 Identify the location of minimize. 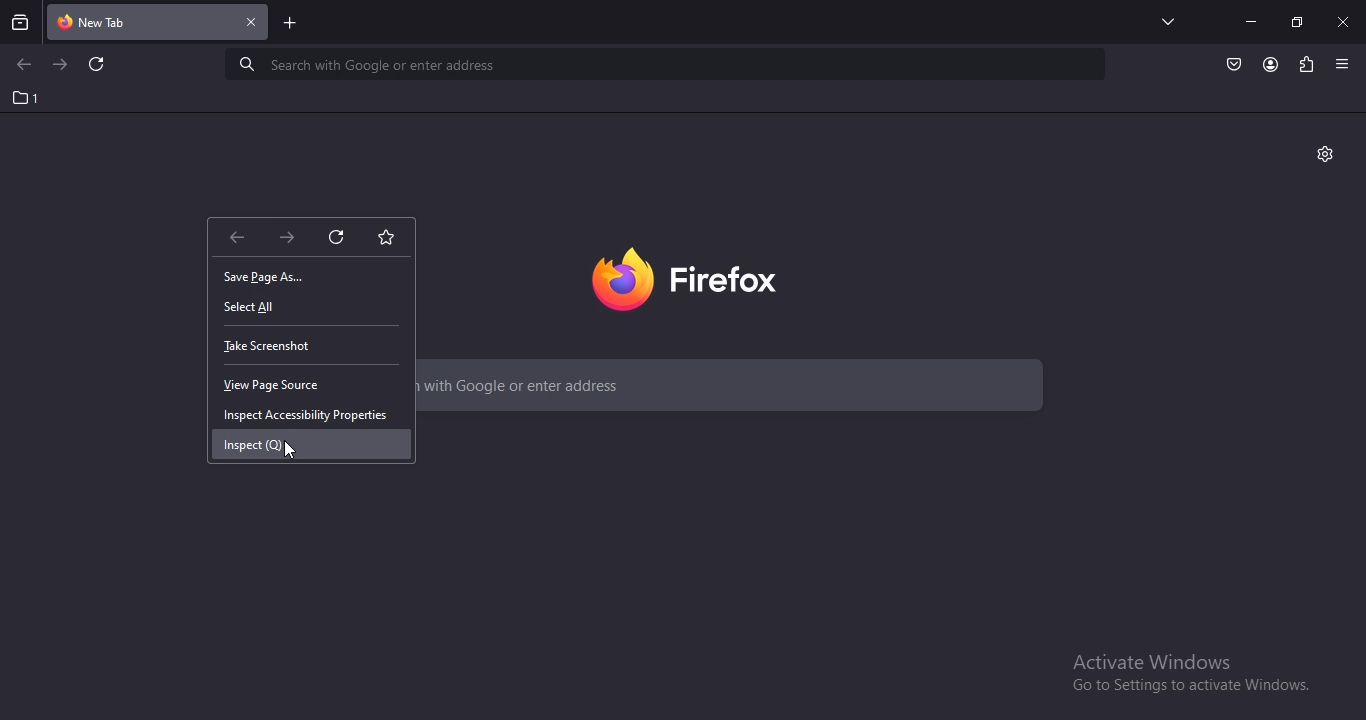
(1250, 21).